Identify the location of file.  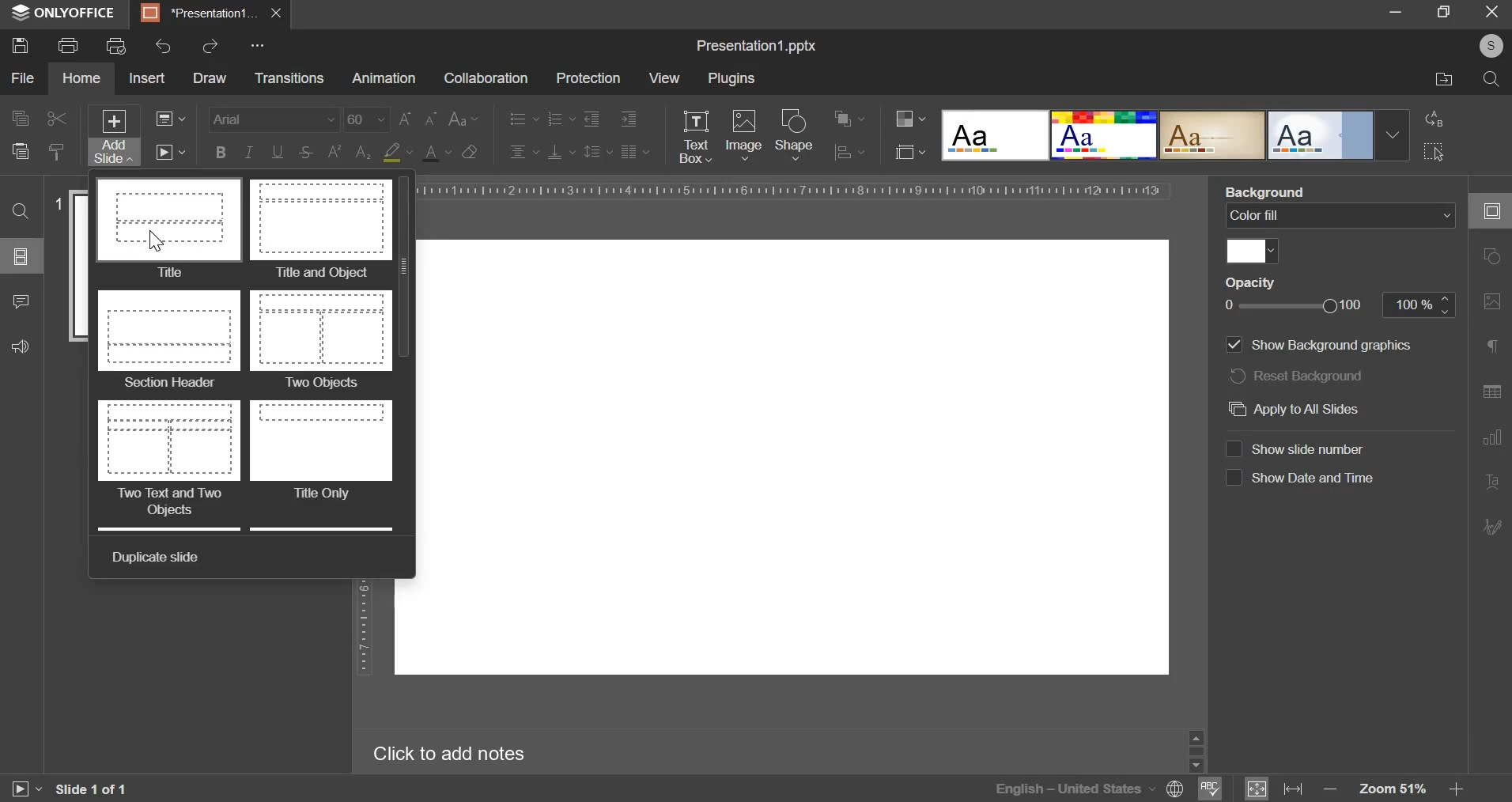
(22, 78).